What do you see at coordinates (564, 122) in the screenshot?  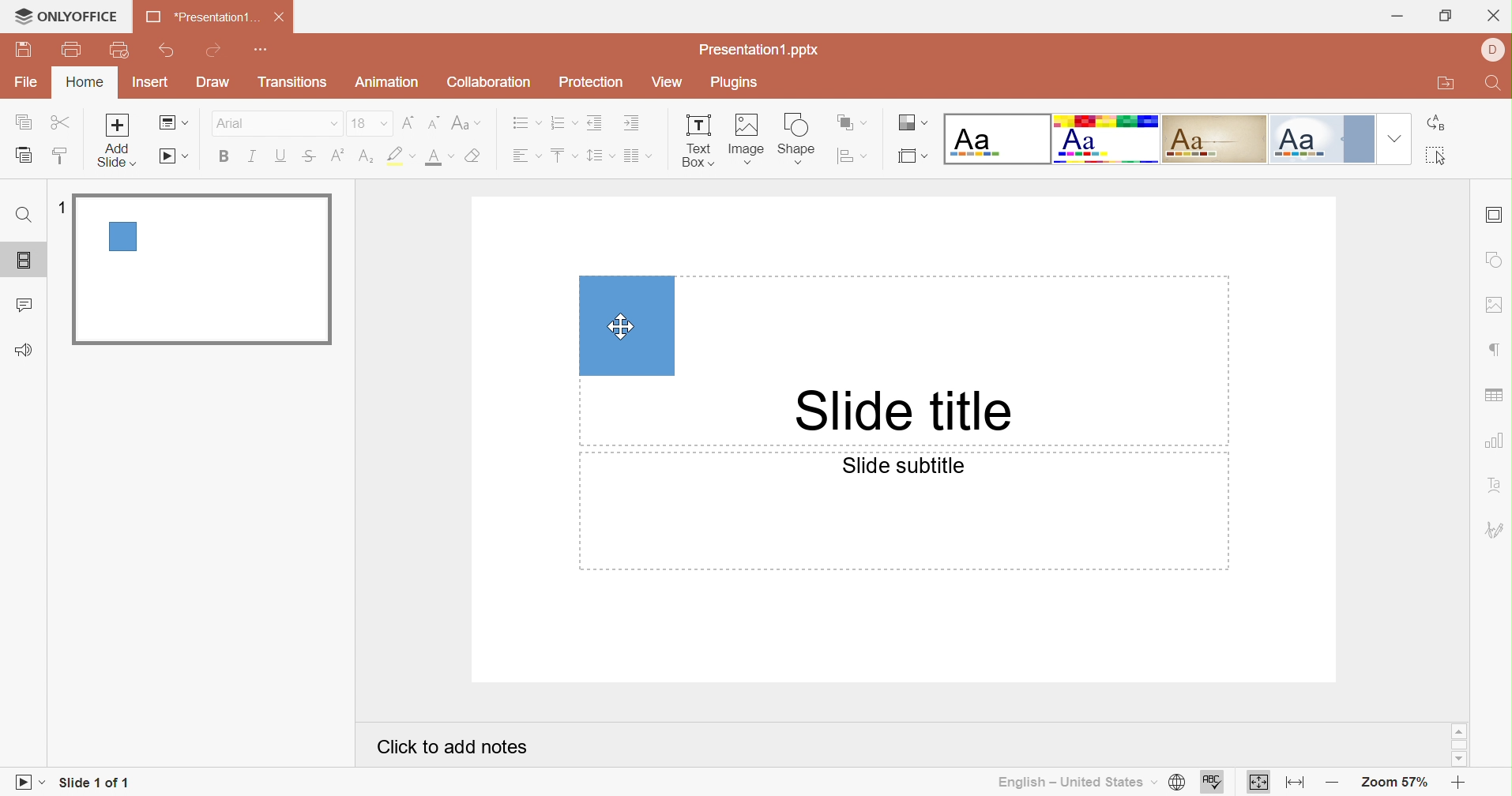 I see `Numbering` at bounding box center [564, 122].